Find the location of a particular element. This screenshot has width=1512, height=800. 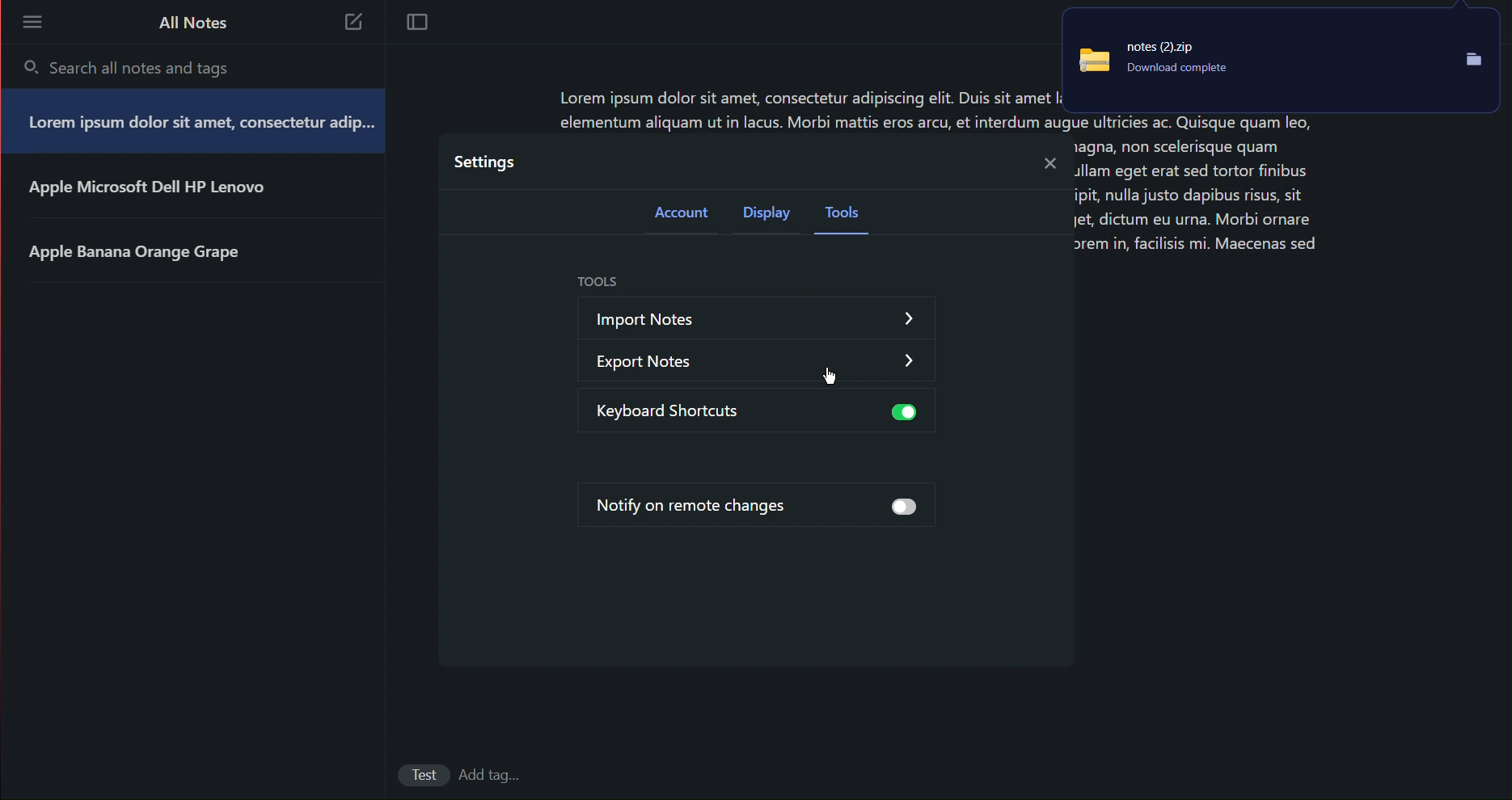

Lorem ipsum dolor sit amet, consectetur adipiscing elit. Duis sit amet I;
dip... elementum aliquam ut in lacus. Morbi mattis eros arcu, et interdum augue ultricies ac. Quisque quam leo, is located at coordinates (807, 107).